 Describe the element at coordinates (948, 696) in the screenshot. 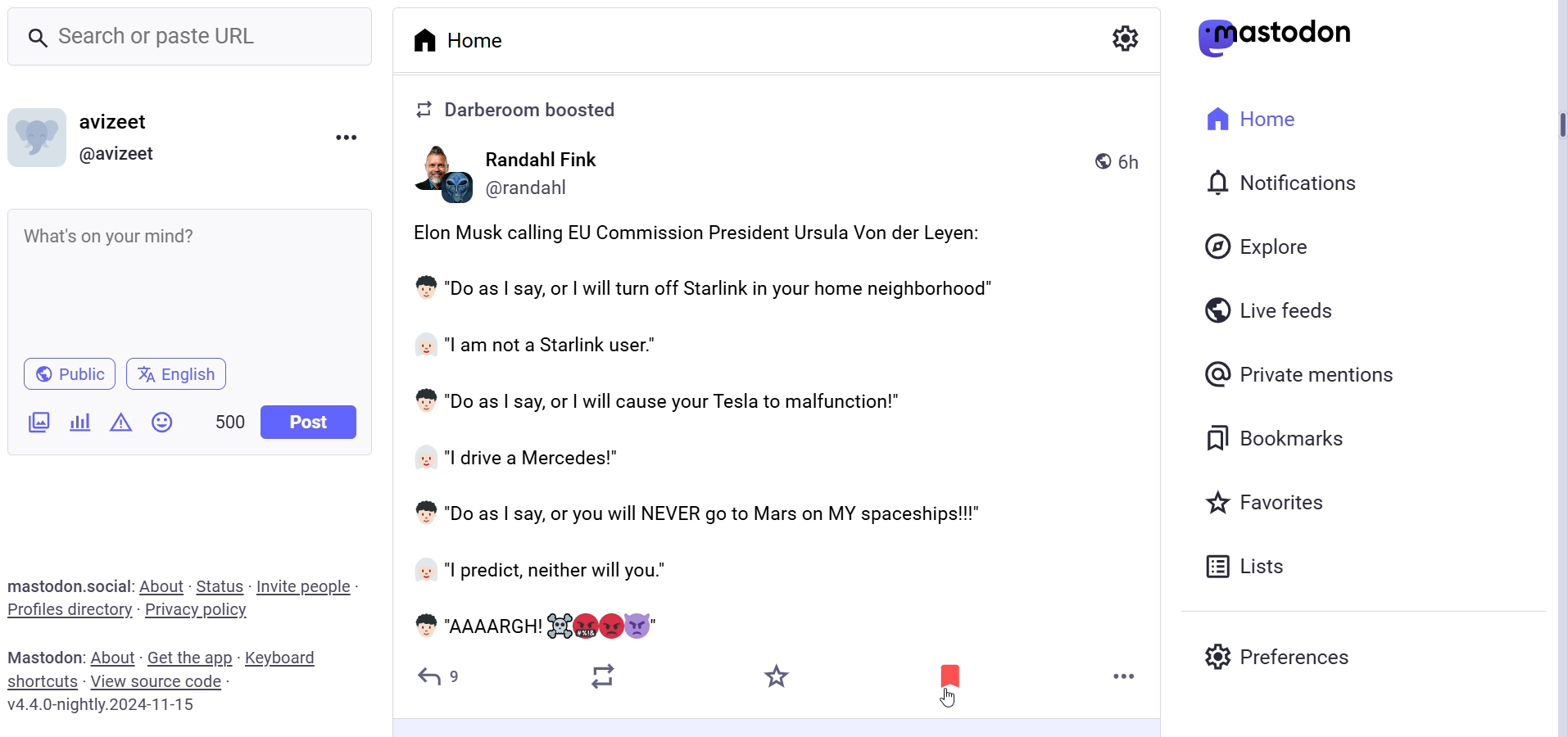

I see `cursor` at that location.